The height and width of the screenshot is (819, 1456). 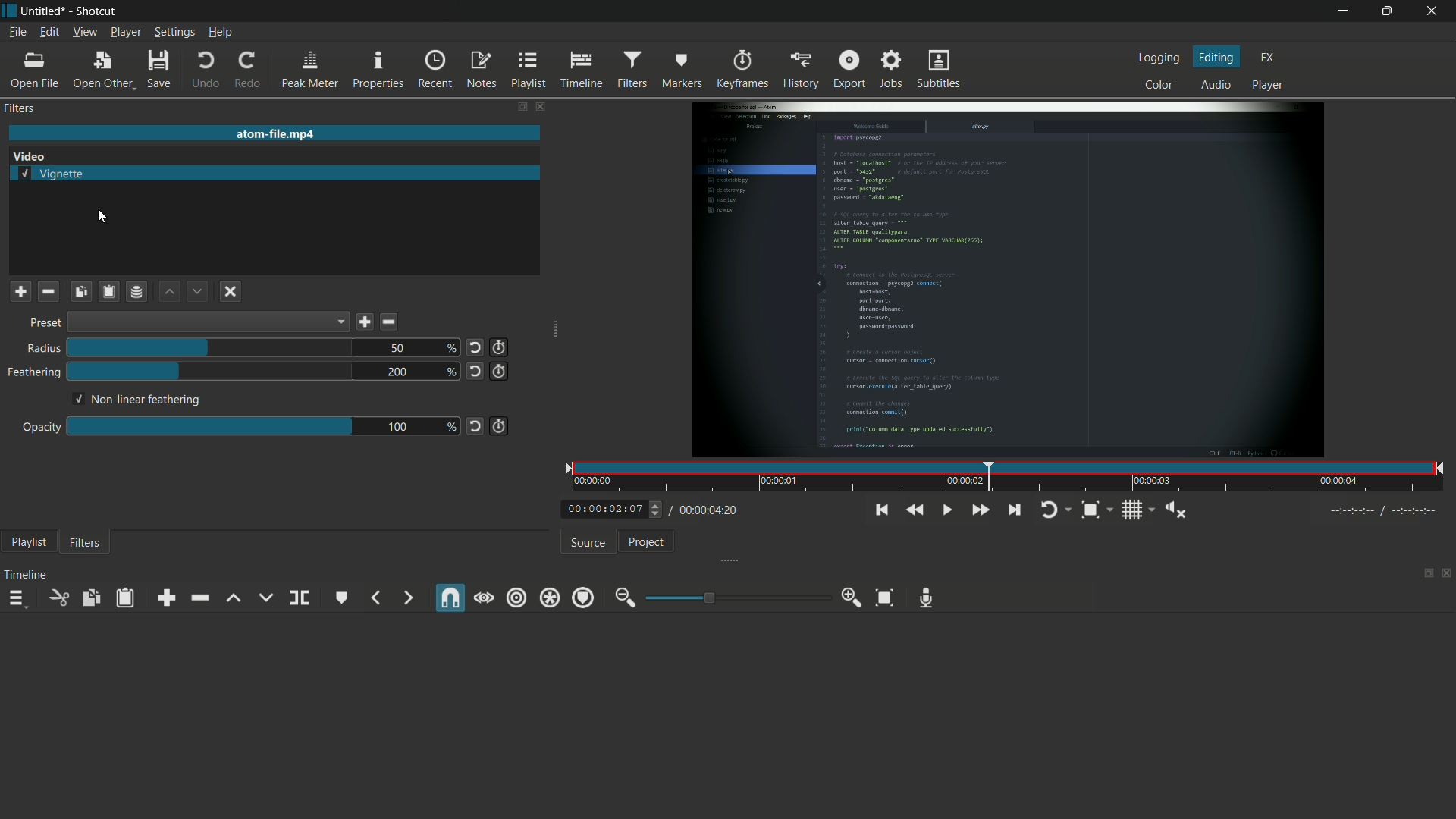 What do you see at coordinates (102, 70) in the screenshot?
I see `open other` at bounding box center [102, 70].